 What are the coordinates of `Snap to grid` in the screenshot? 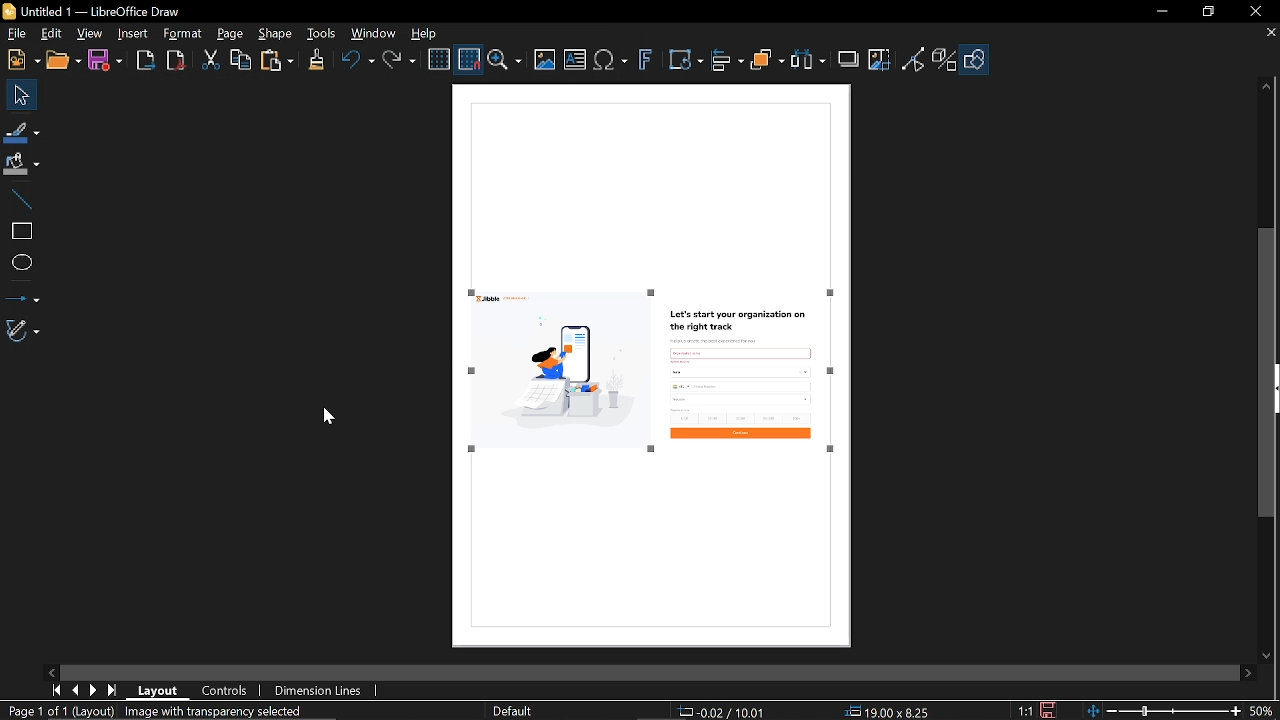 It's located at (468, 59).